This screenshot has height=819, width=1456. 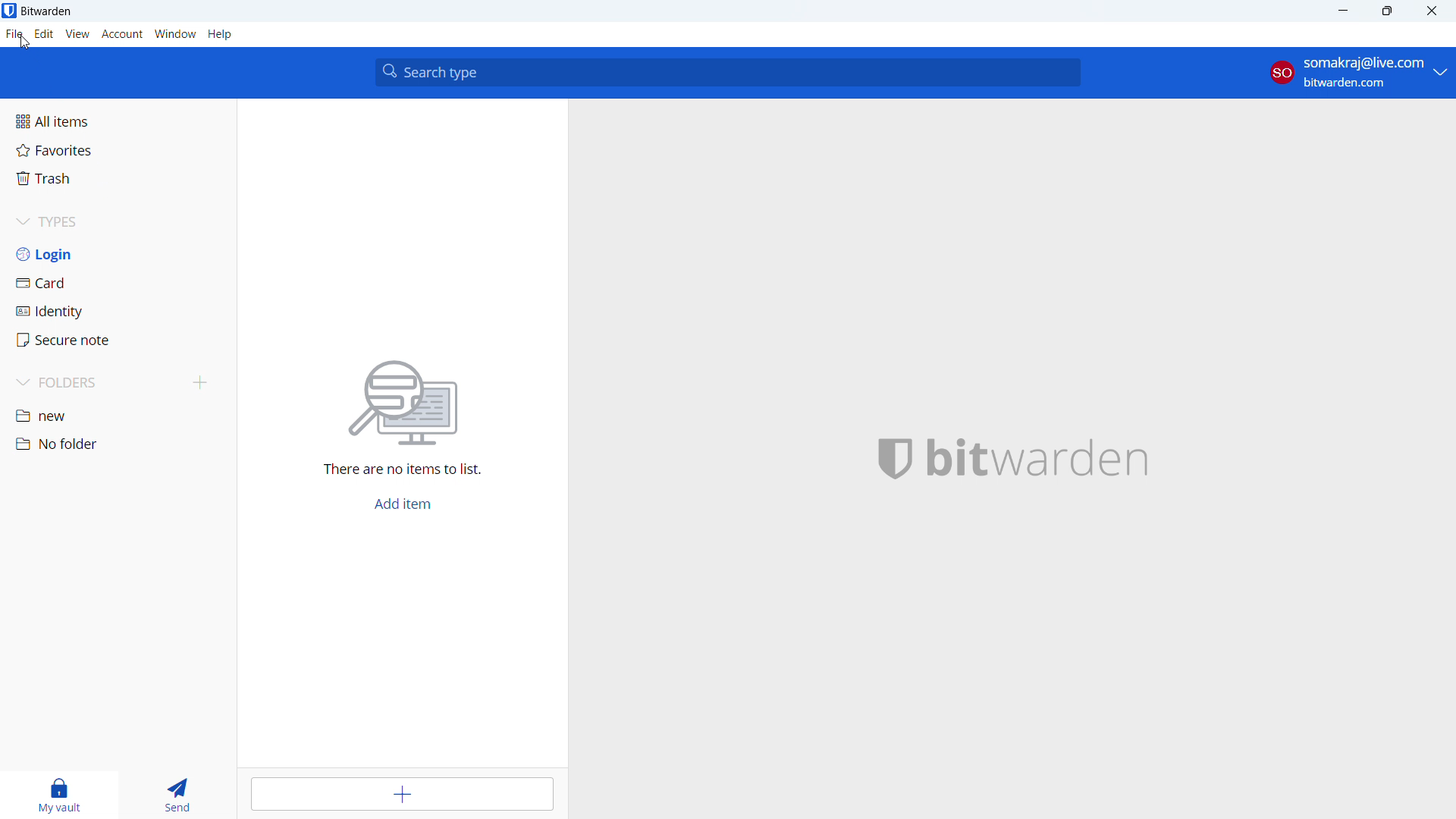 What do you see at coordinates (403, 504) in the screenshot?
I see `add item` at bounding box center [403, 504].